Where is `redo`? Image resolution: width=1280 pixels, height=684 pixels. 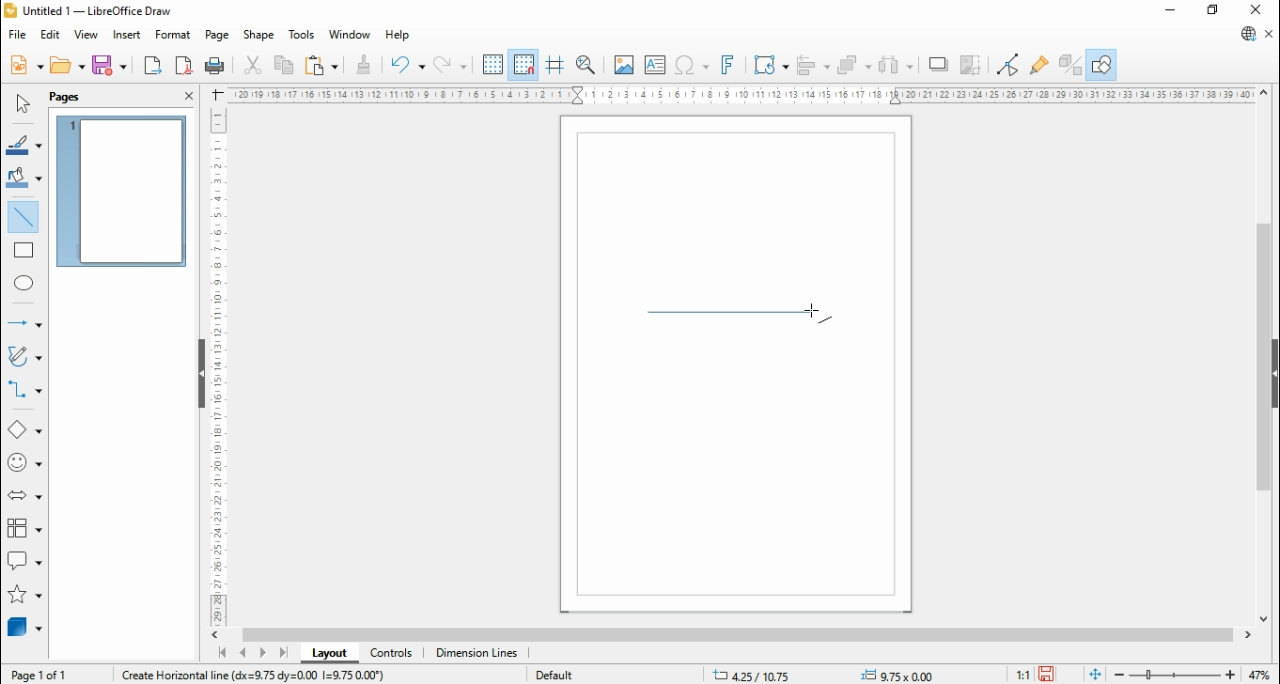 redo is located at coordinates (451, 64).